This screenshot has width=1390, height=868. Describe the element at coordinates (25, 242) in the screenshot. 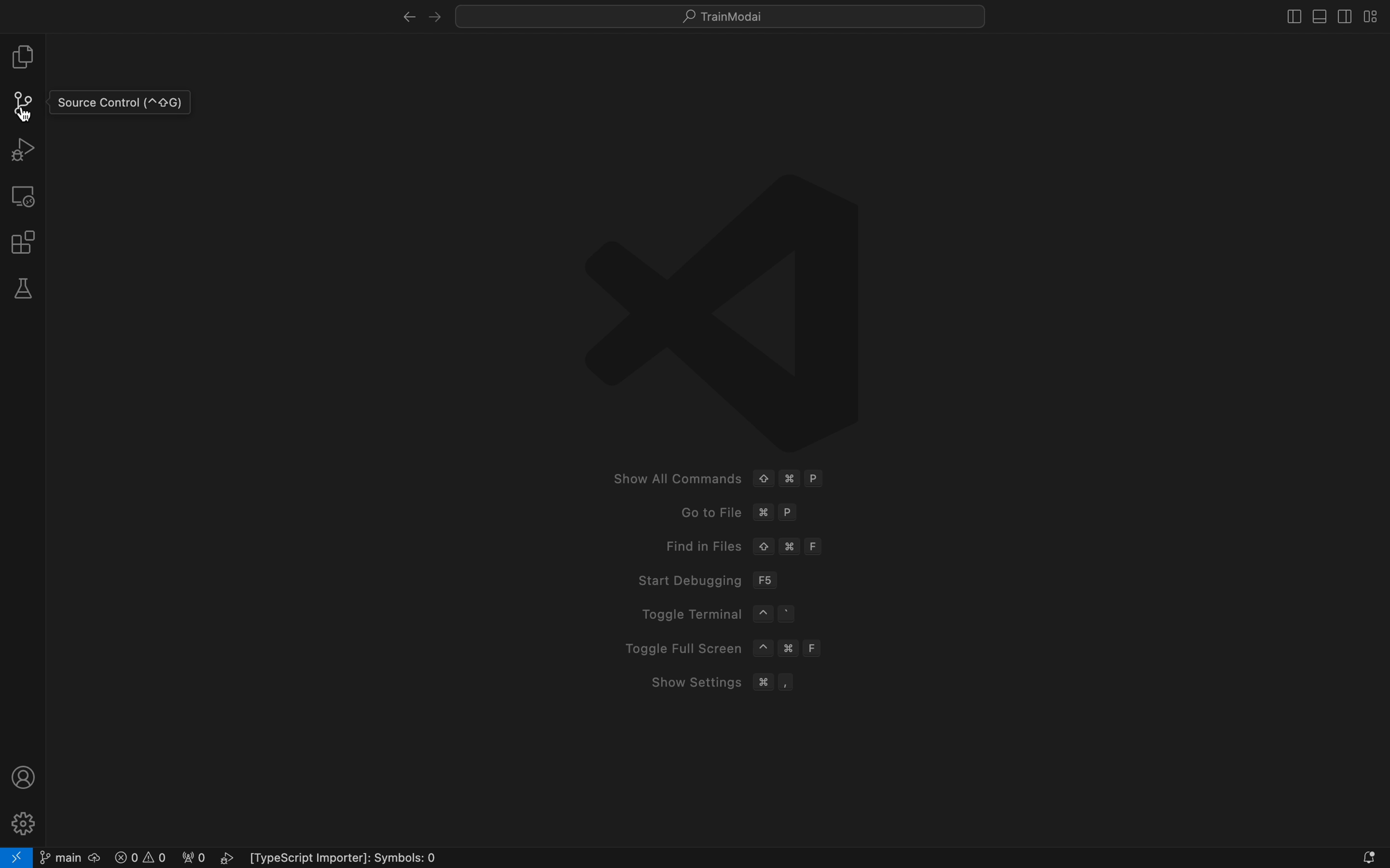

I see `extensions` at that location.